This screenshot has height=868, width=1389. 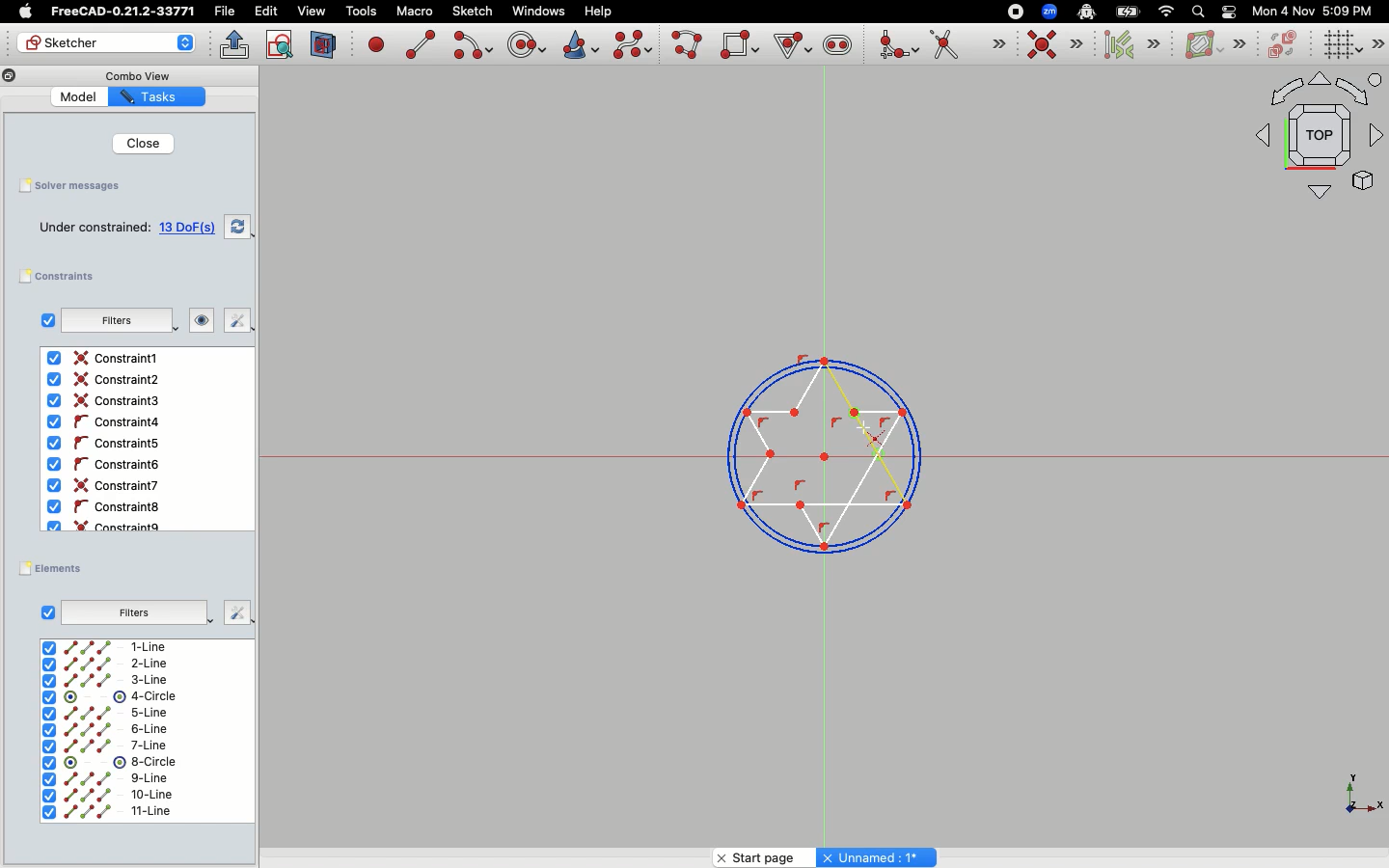 I want to click on Record, so click(x=1011, y=11).